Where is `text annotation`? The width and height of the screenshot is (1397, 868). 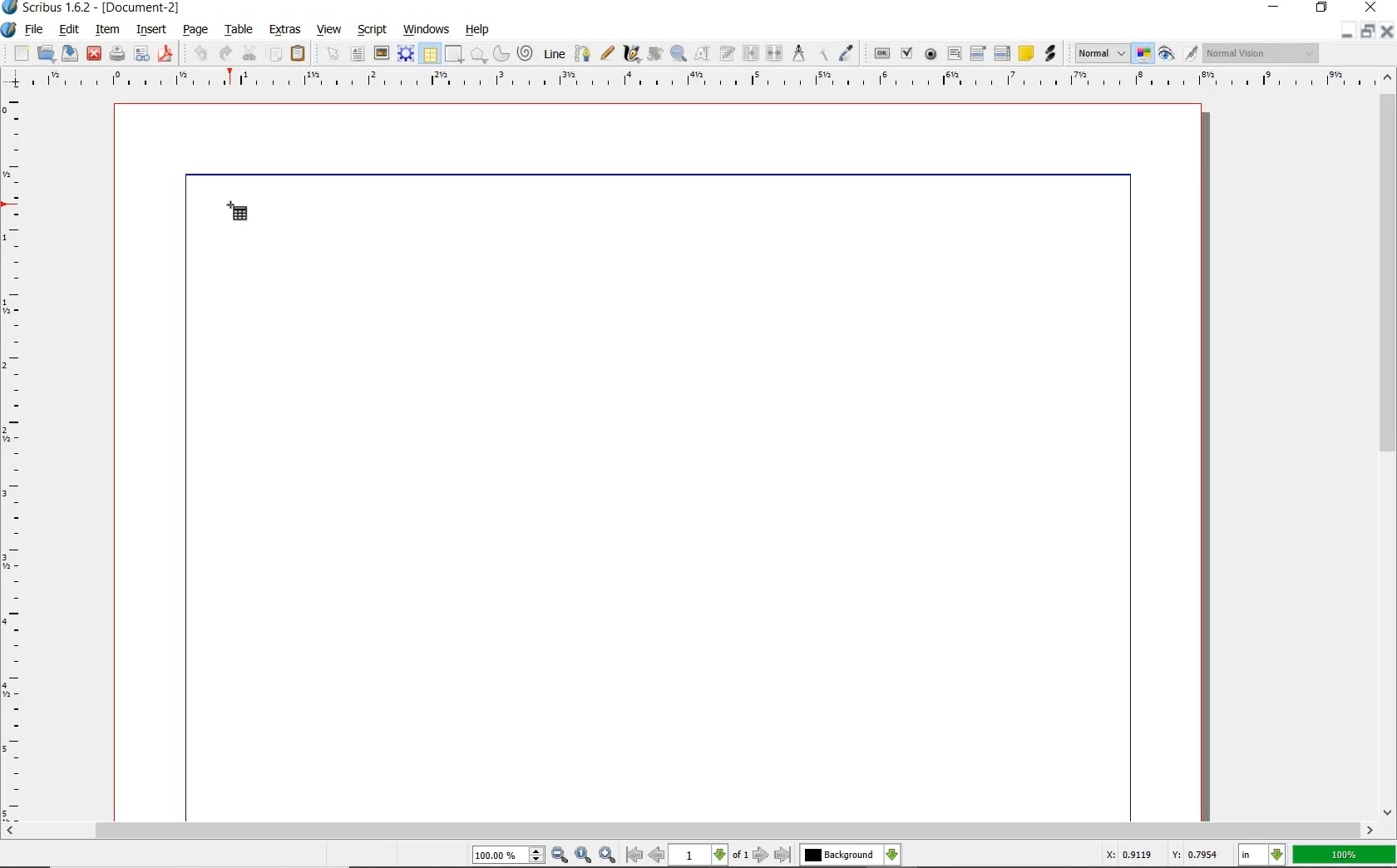
text annotation is located at coordinates (1026, 52).